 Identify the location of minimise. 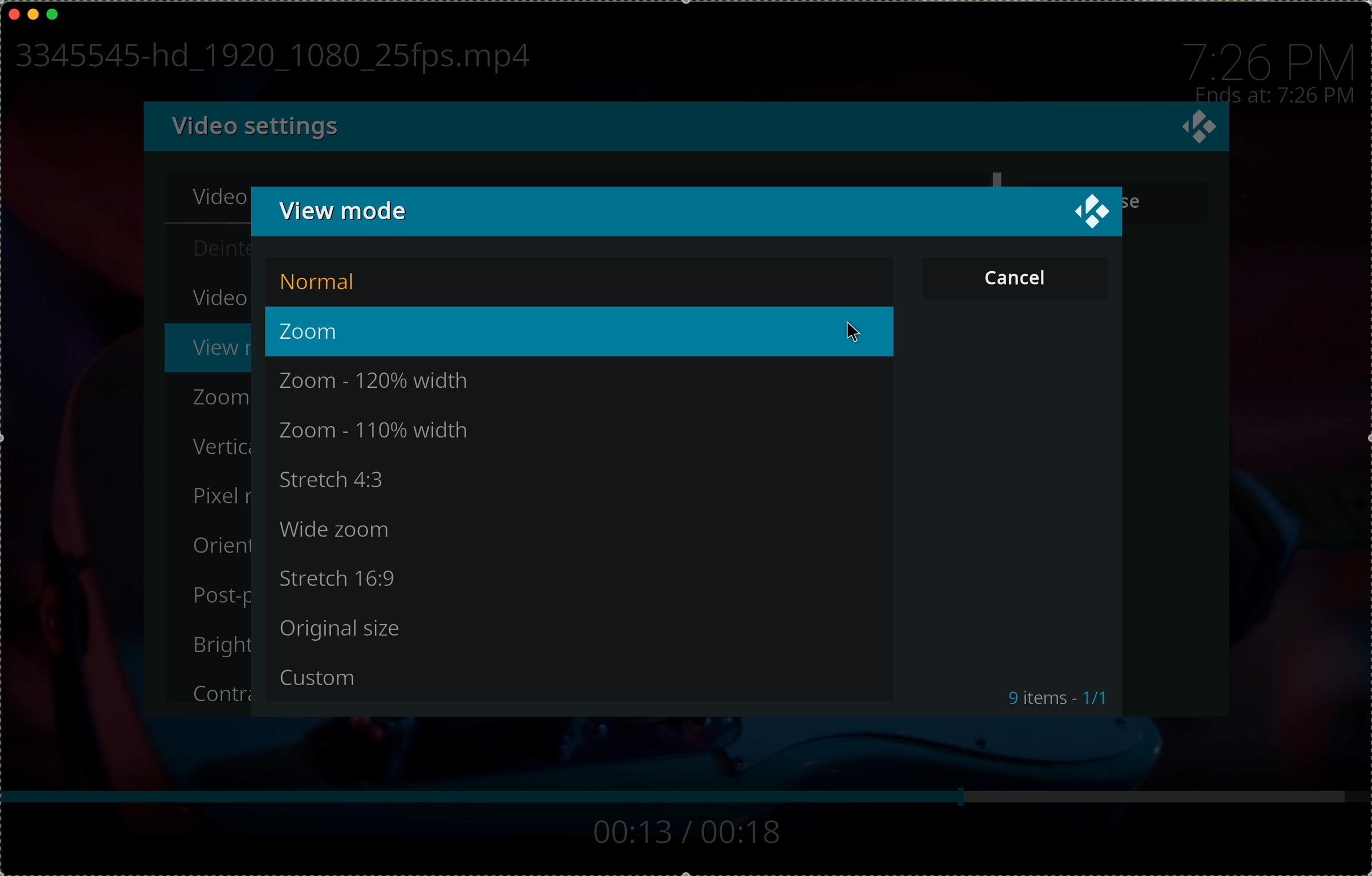
(33, 13).